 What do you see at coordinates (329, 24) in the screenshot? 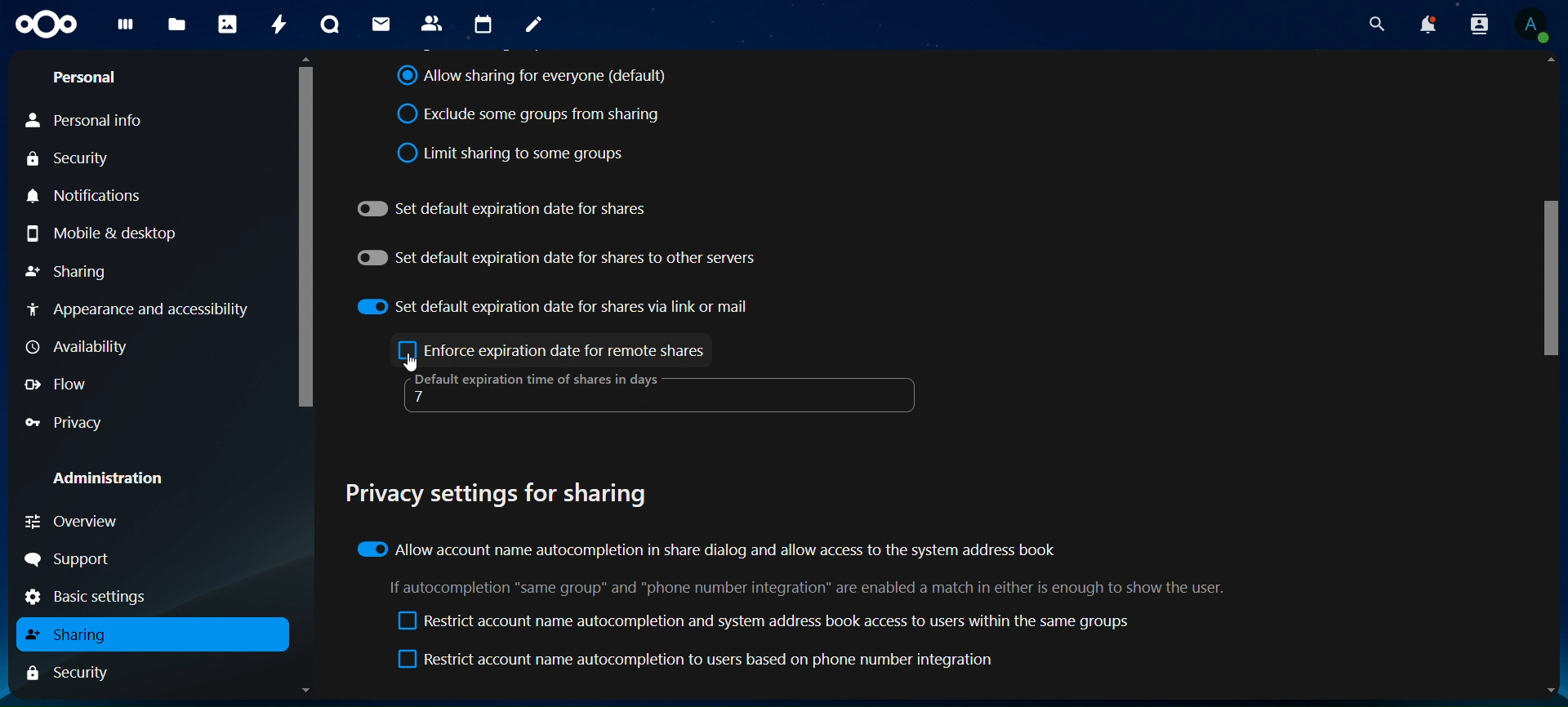
I see `talk` at bounding box center [329, 24].